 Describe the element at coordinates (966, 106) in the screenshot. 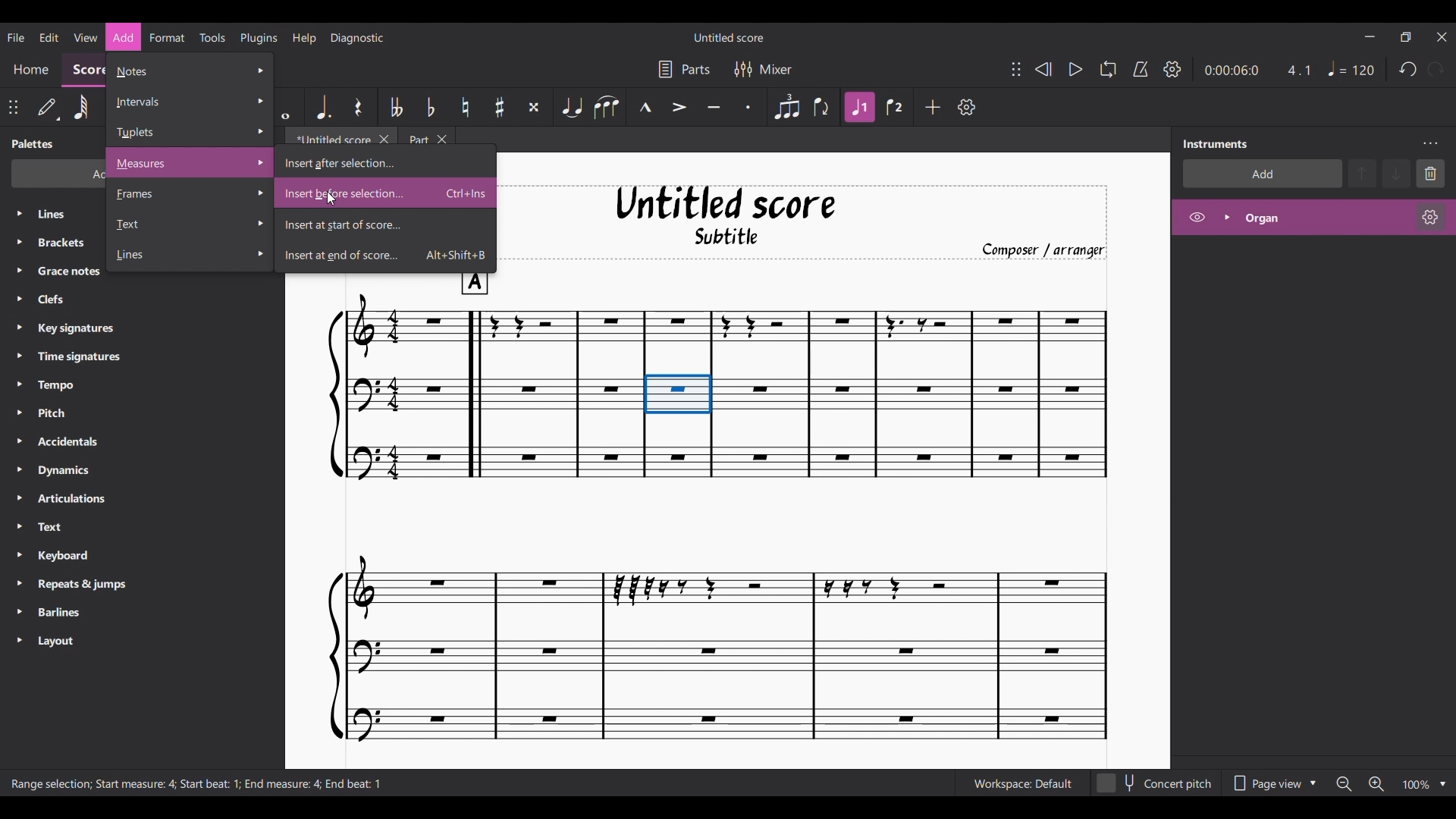

I see `Customize tools` at that location.